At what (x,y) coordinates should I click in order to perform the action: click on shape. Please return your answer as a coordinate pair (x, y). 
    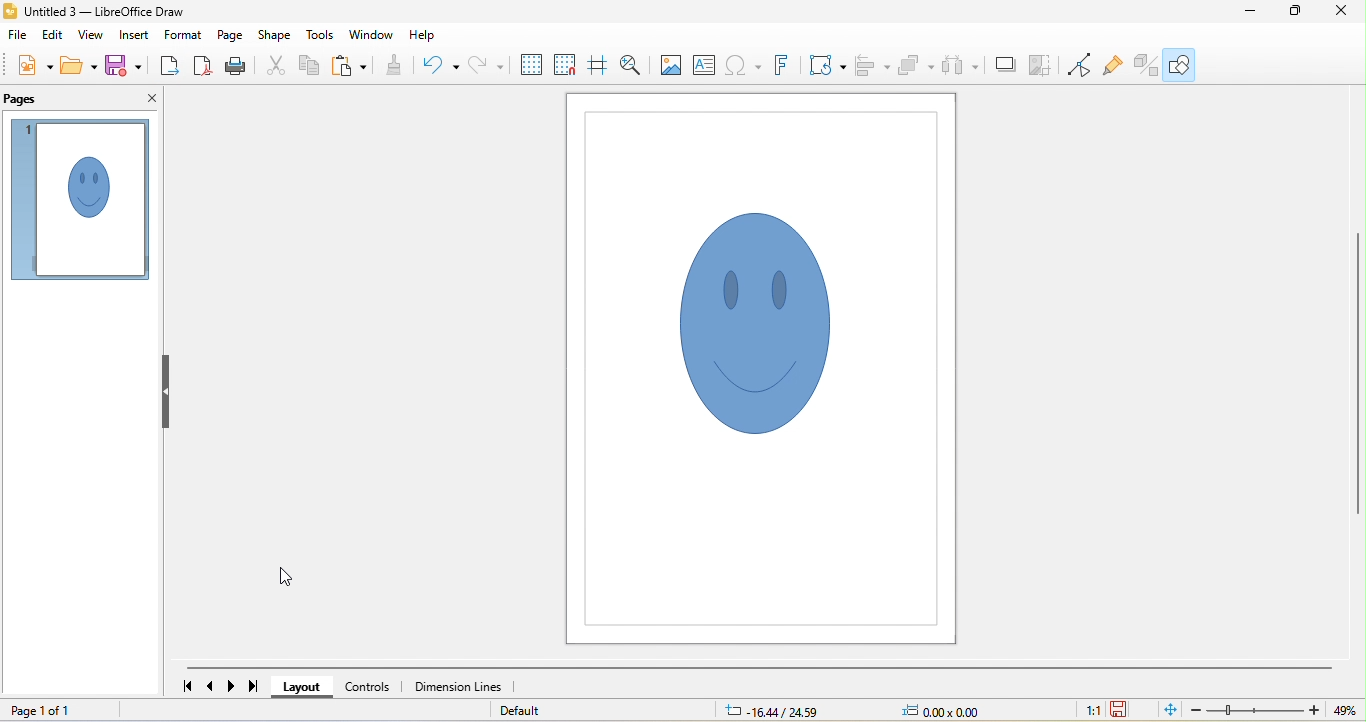
    Looking at the image, I should click on (273, 36).